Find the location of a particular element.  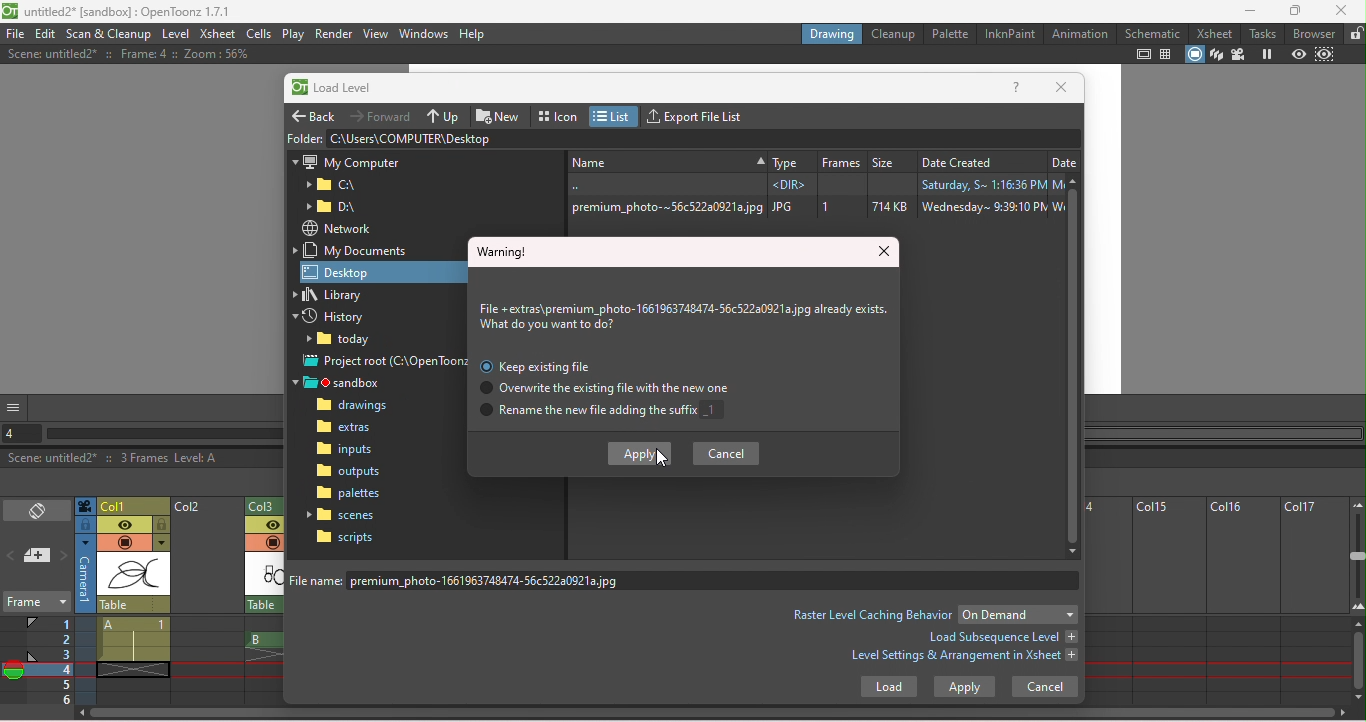

Drawings is located at coordinates (357, 406).